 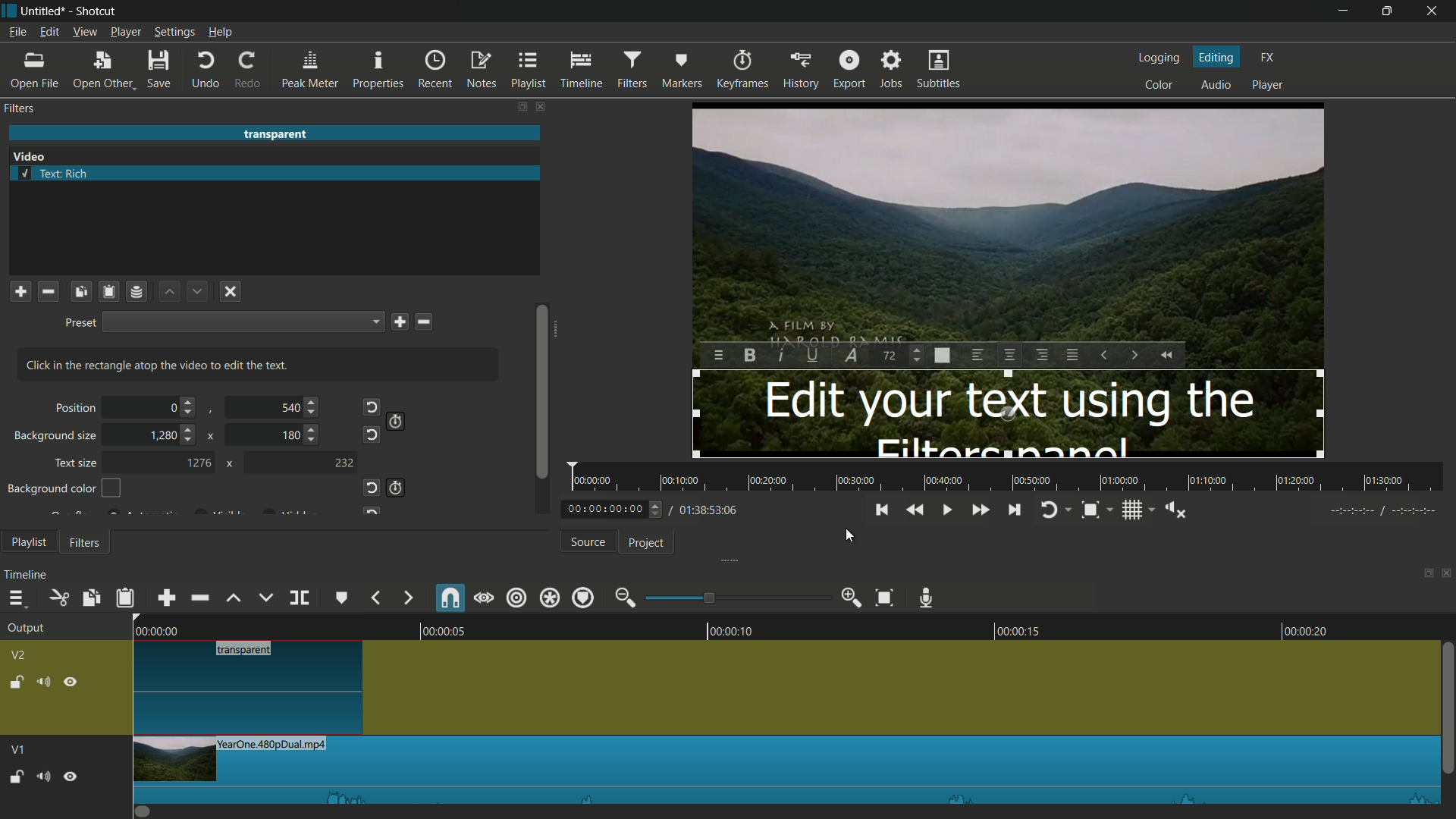 What do you see at coordinates (42, 775) in the screenshot?
I see `Volume` at bounding box center [42, 775].